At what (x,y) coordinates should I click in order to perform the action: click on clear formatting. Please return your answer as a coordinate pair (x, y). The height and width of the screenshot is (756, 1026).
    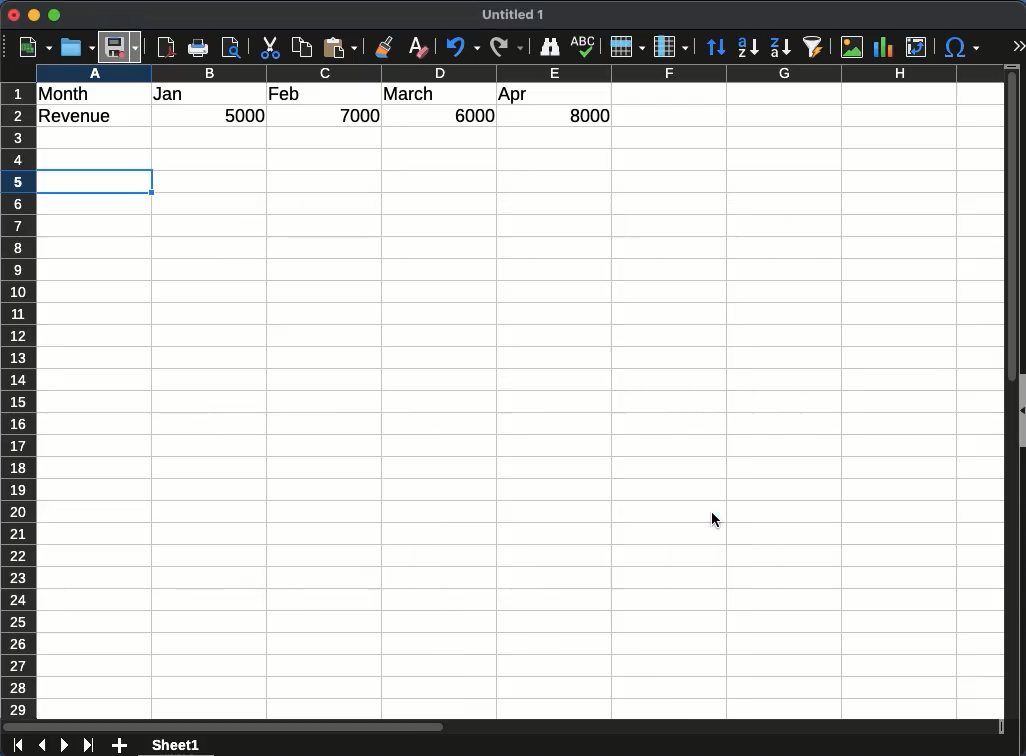
    Looking at the image, I should click on (418, 47).